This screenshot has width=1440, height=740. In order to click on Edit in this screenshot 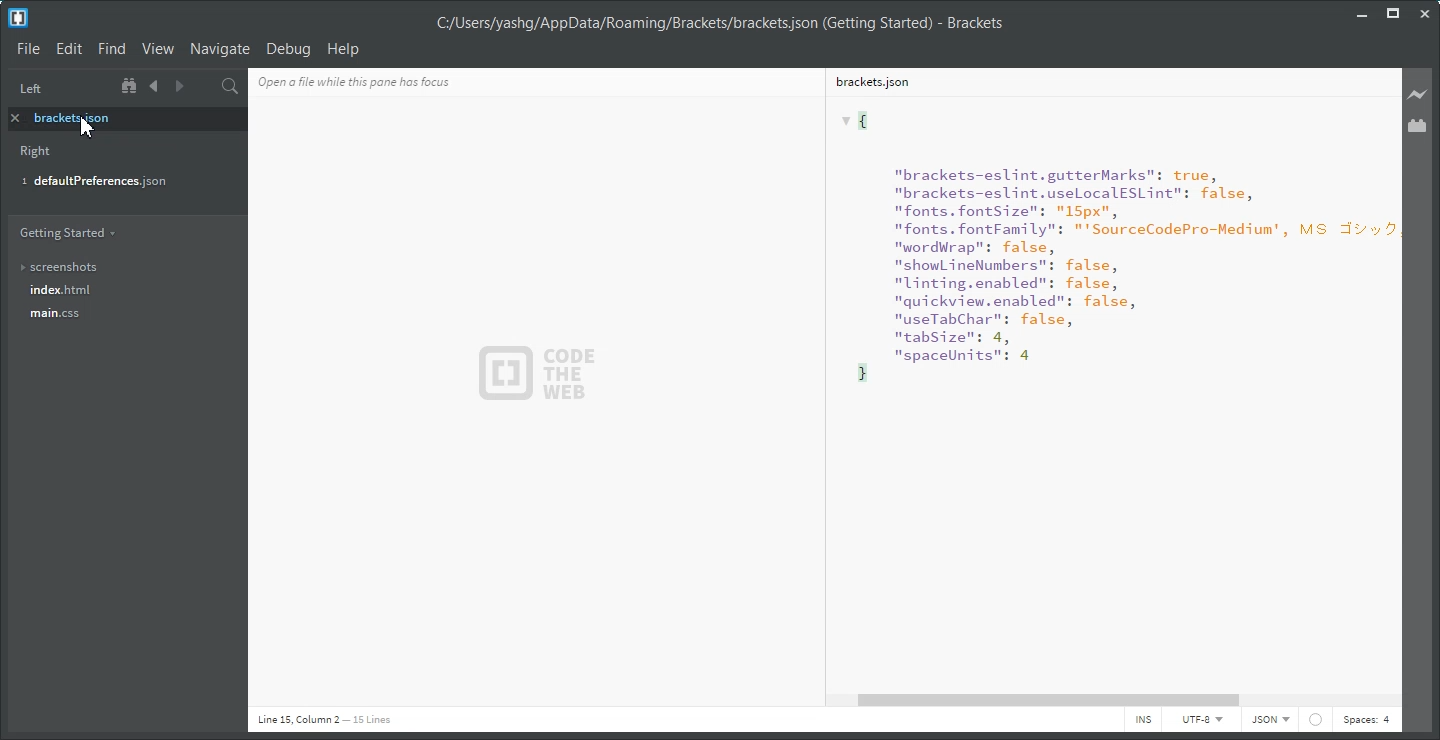, I will do `click(70, 49)`.